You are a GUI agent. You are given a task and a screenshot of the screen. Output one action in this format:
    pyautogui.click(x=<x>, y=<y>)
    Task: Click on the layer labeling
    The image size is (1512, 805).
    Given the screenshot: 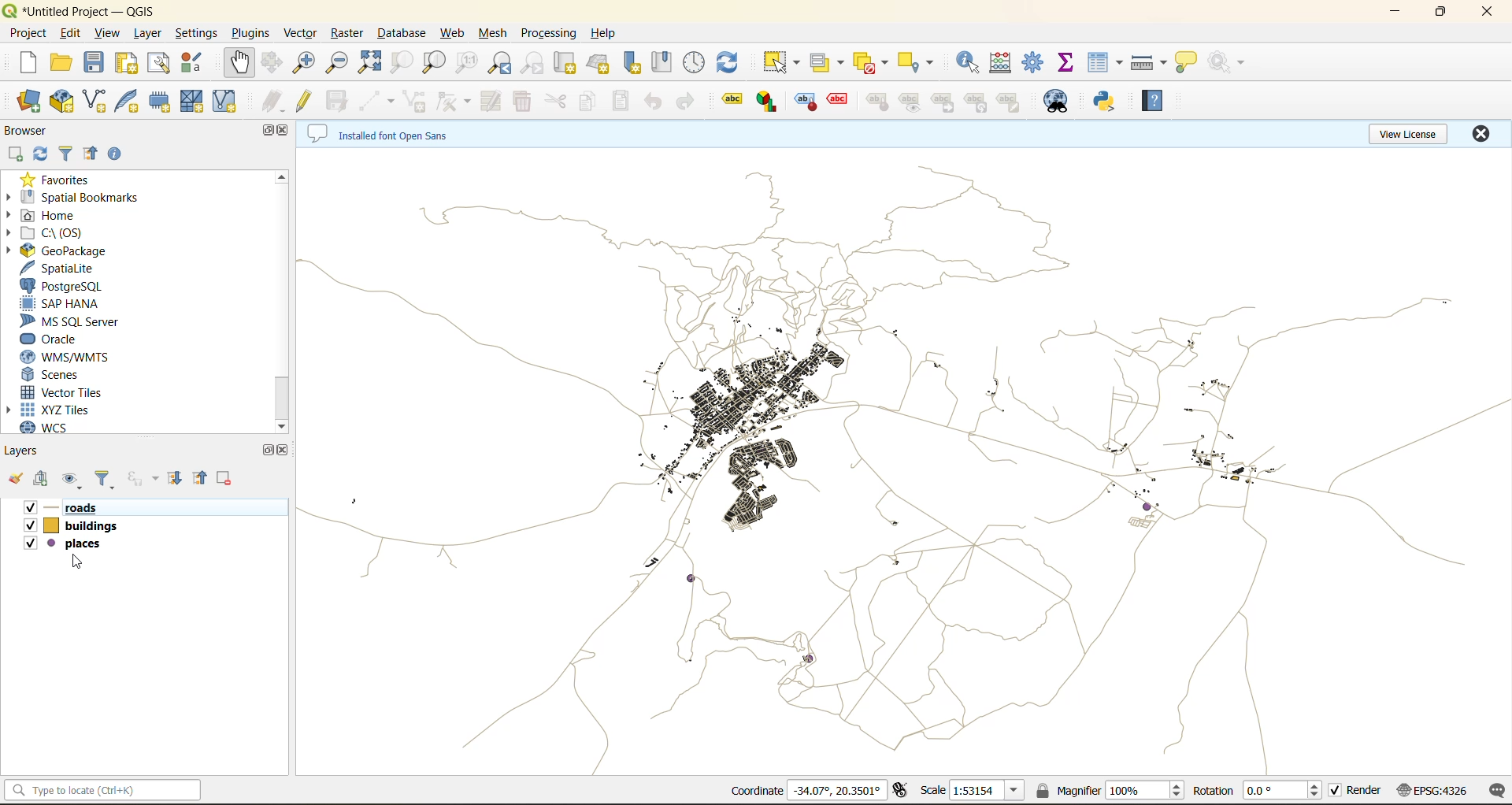 What is the action you would take?
    pyautogui.click(x=730, y=102)
    